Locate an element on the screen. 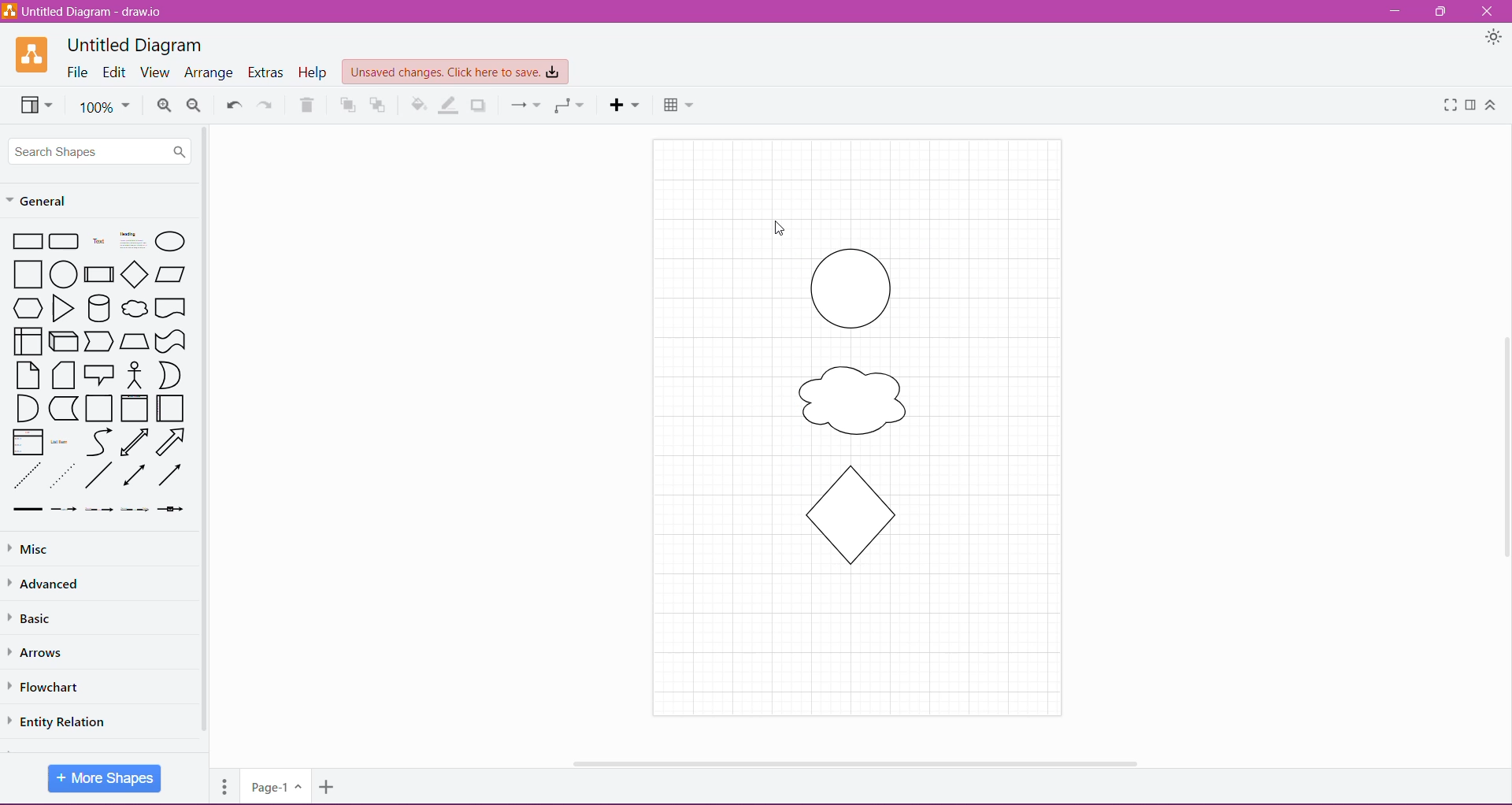  Flowchart is located at coordinates (54, 687).